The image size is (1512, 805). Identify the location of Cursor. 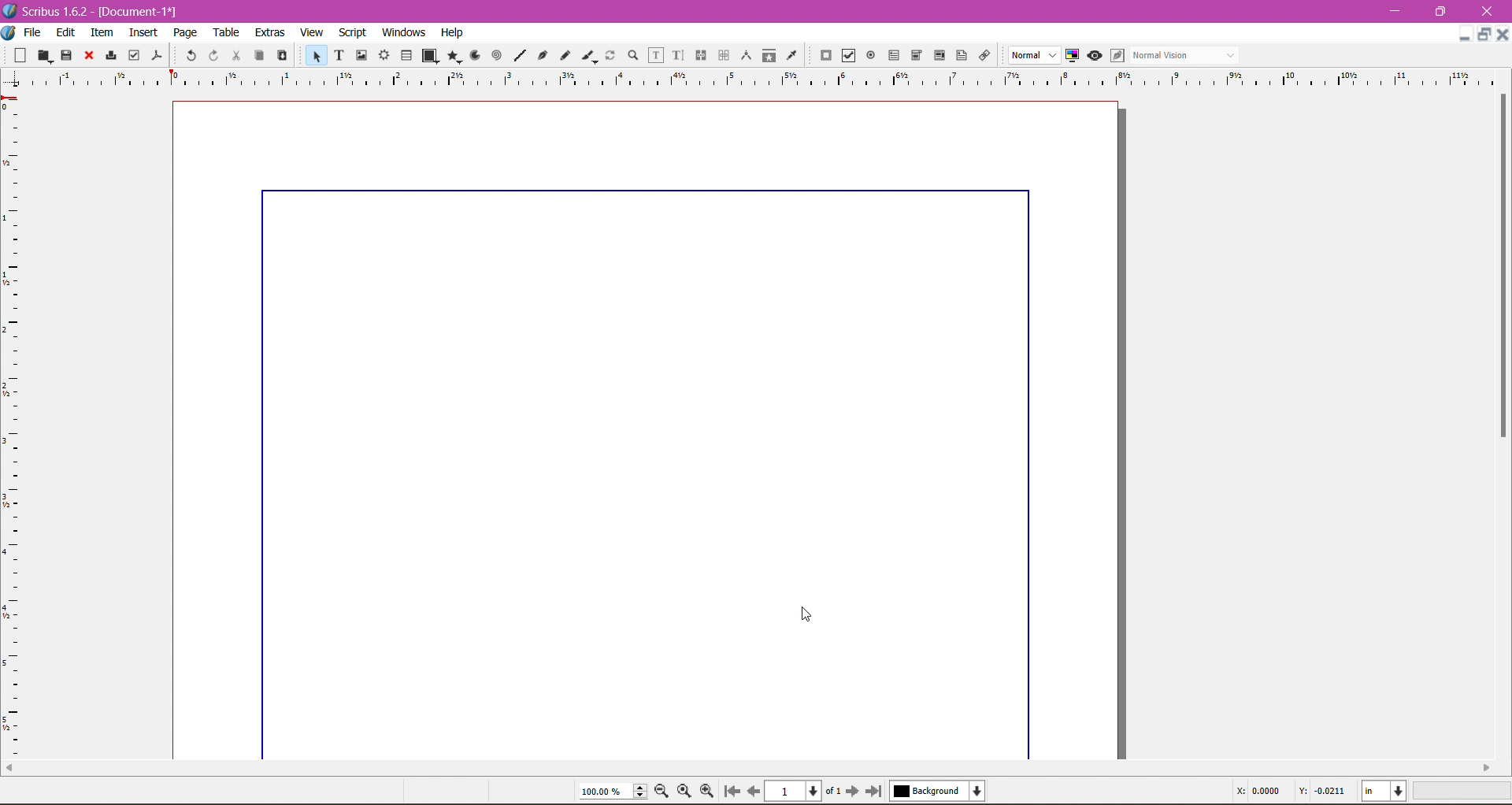
(806, 614).